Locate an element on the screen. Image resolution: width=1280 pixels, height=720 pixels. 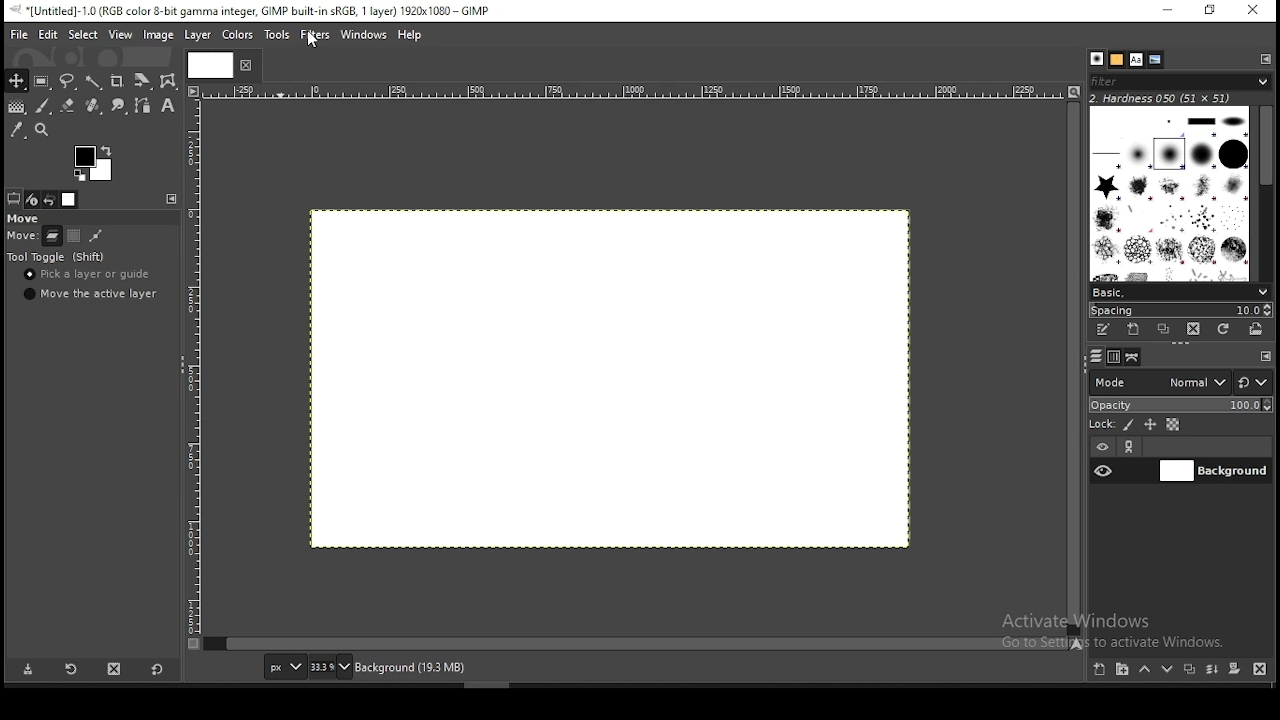
tool options is located at coordinates (15, 199).